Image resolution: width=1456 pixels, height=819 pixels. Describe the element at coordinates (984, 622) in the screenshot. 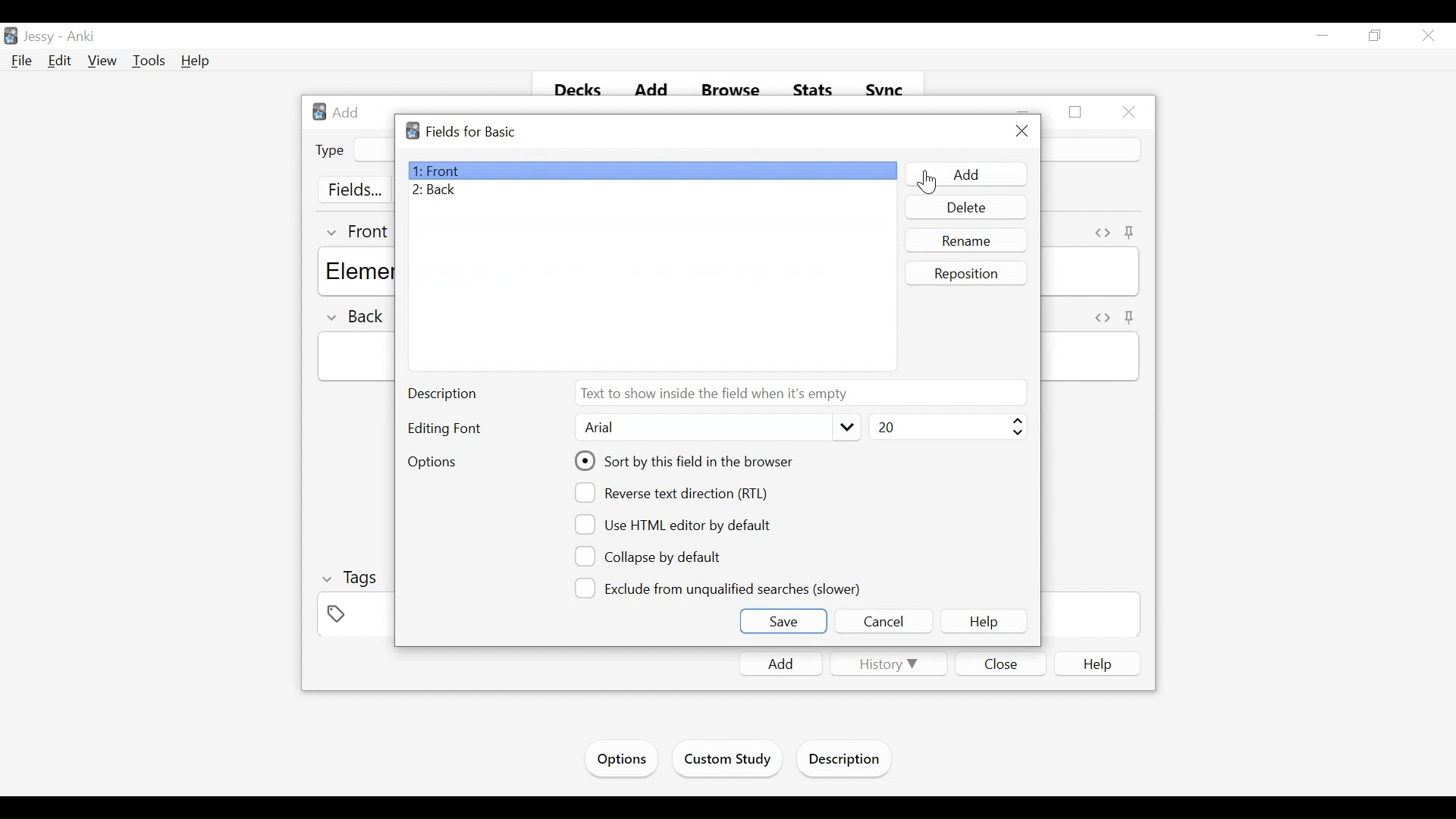

I see `Help` at that location.